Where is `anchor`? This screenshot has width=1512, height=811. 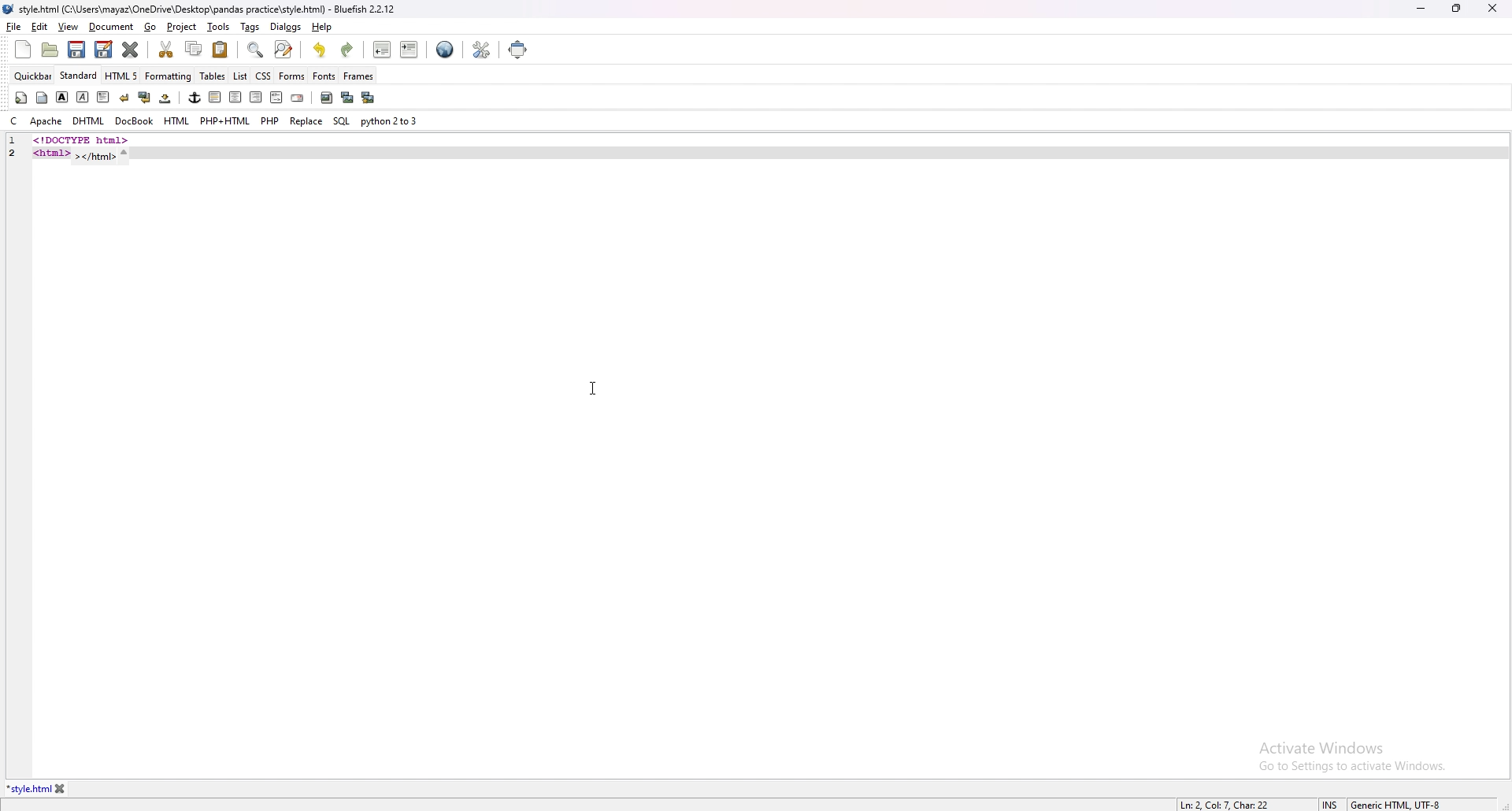
anchor is located at coordinates (195, 98).